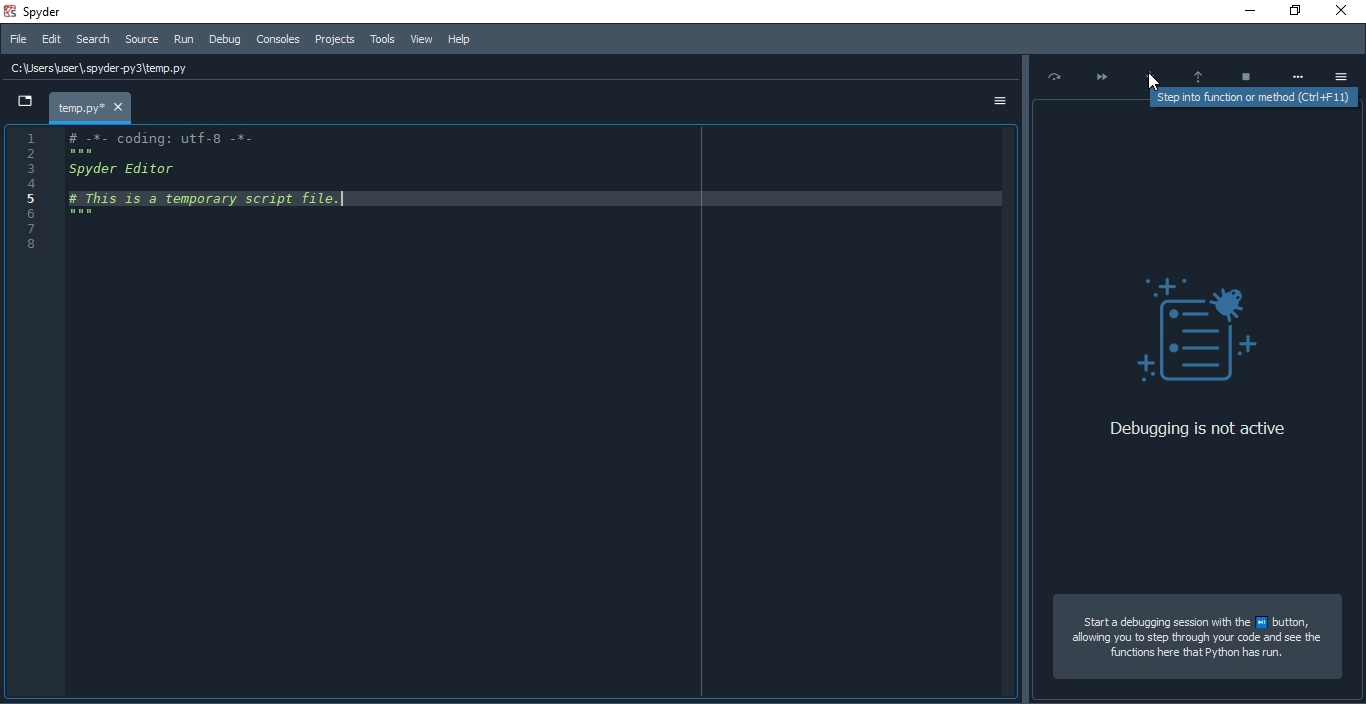  What do you see at coordinates (1294, 11) in the screenshot?
I see `restore` at bounding box center [1294, 11].